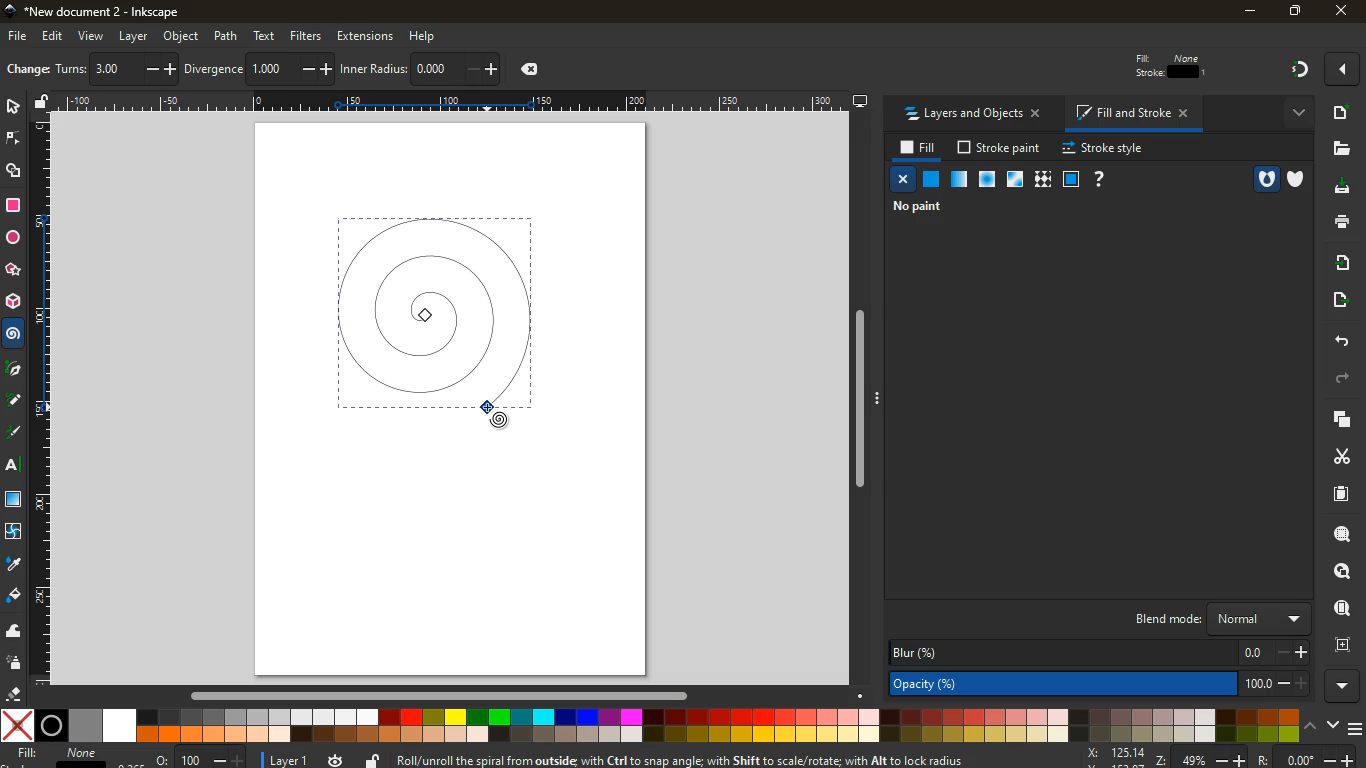 This screenshot has width=1366, height=768. I want to click on fill, so click(12, 596).